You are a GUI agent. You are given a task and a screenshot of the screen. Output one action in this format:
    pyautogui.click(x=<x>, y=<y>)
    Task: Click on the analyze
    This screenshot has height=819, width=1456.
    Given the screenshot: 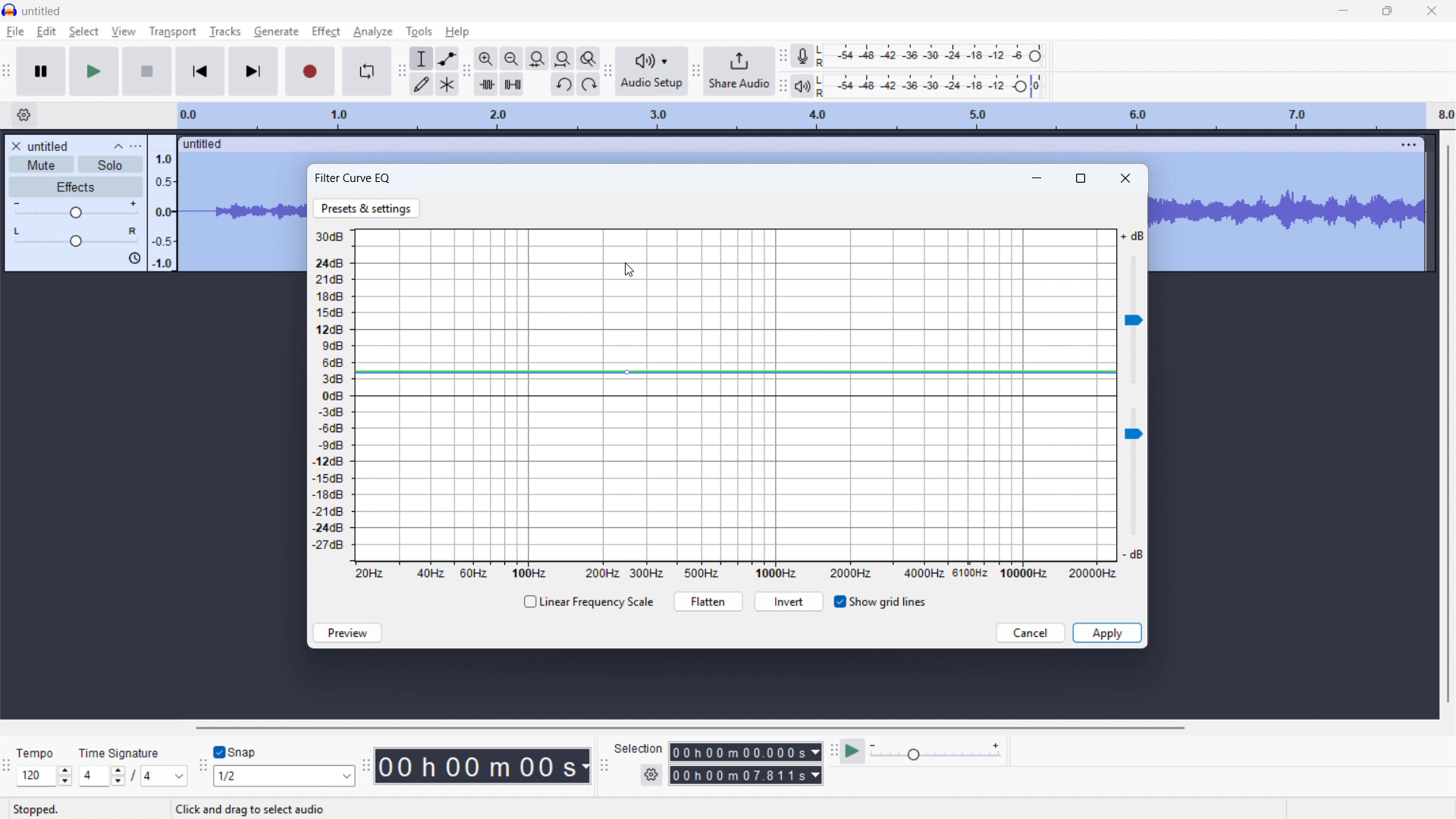 What is the action you would take?
    pyautogui.click(x=372, y=30)
    